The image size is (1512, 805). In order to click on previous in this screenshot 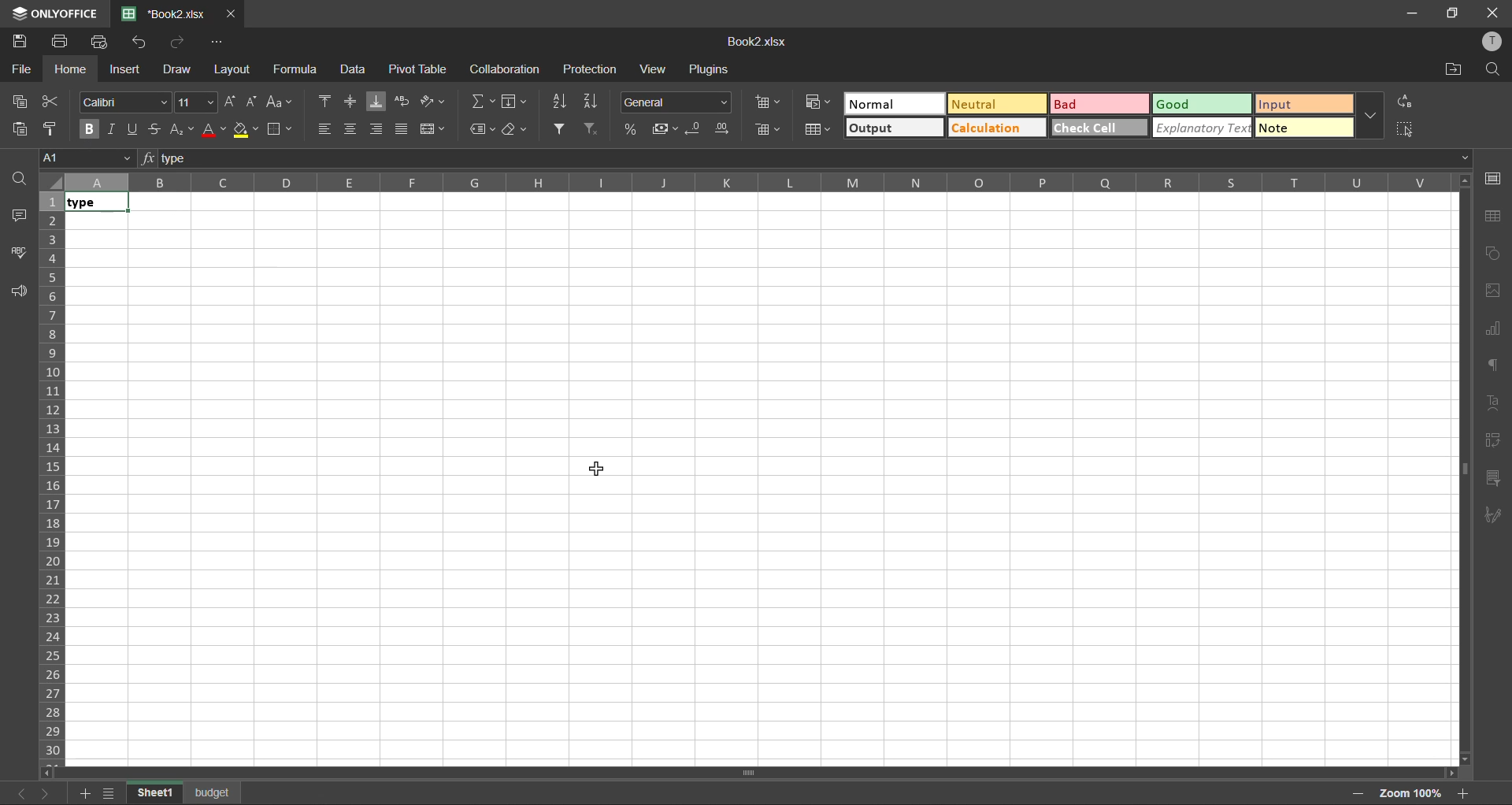, I will do `click(16, 792)`.